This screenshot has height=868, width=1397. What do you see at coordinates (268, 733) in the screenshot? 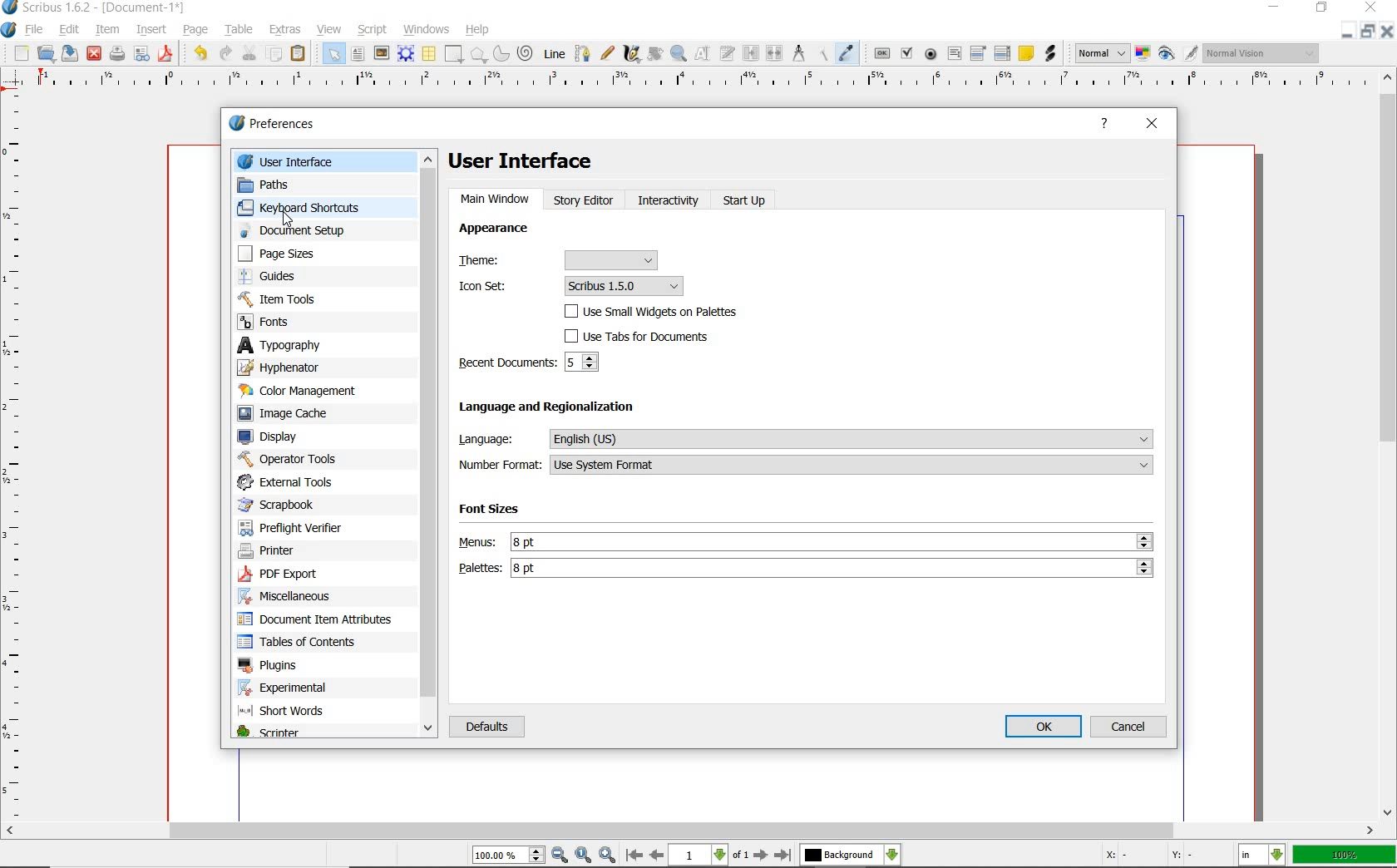
I see `scripter` at bounding box center [268, 733].